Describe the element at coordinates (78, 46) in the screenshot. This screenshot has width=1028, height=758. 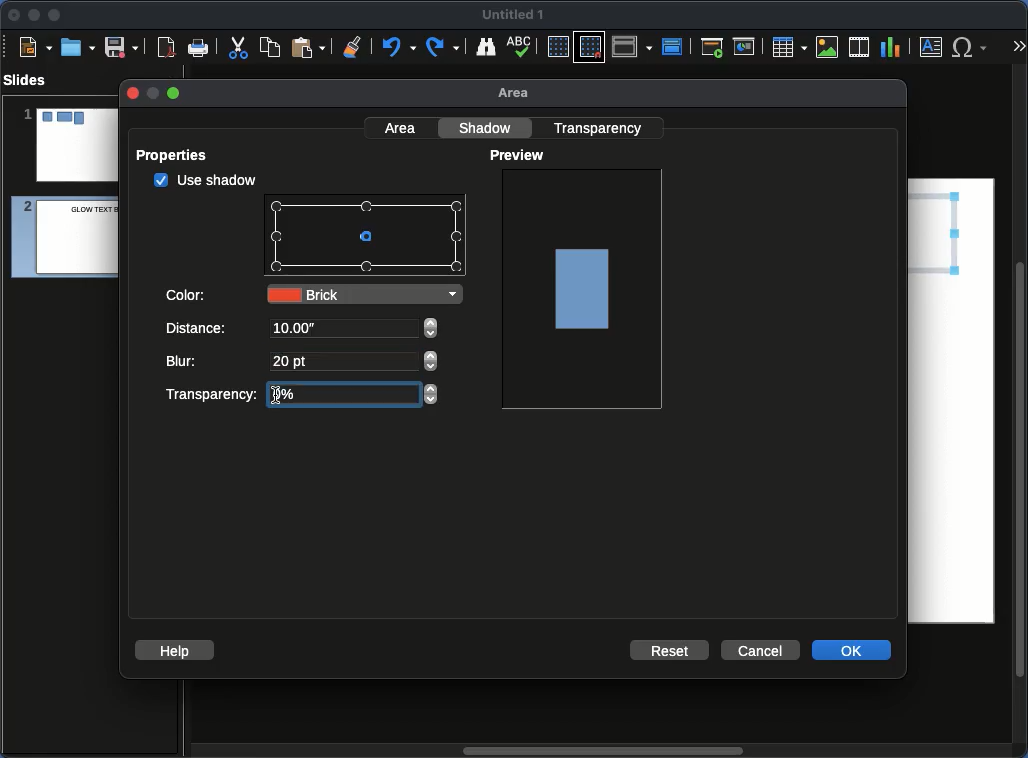
I see `Ope` at that location.